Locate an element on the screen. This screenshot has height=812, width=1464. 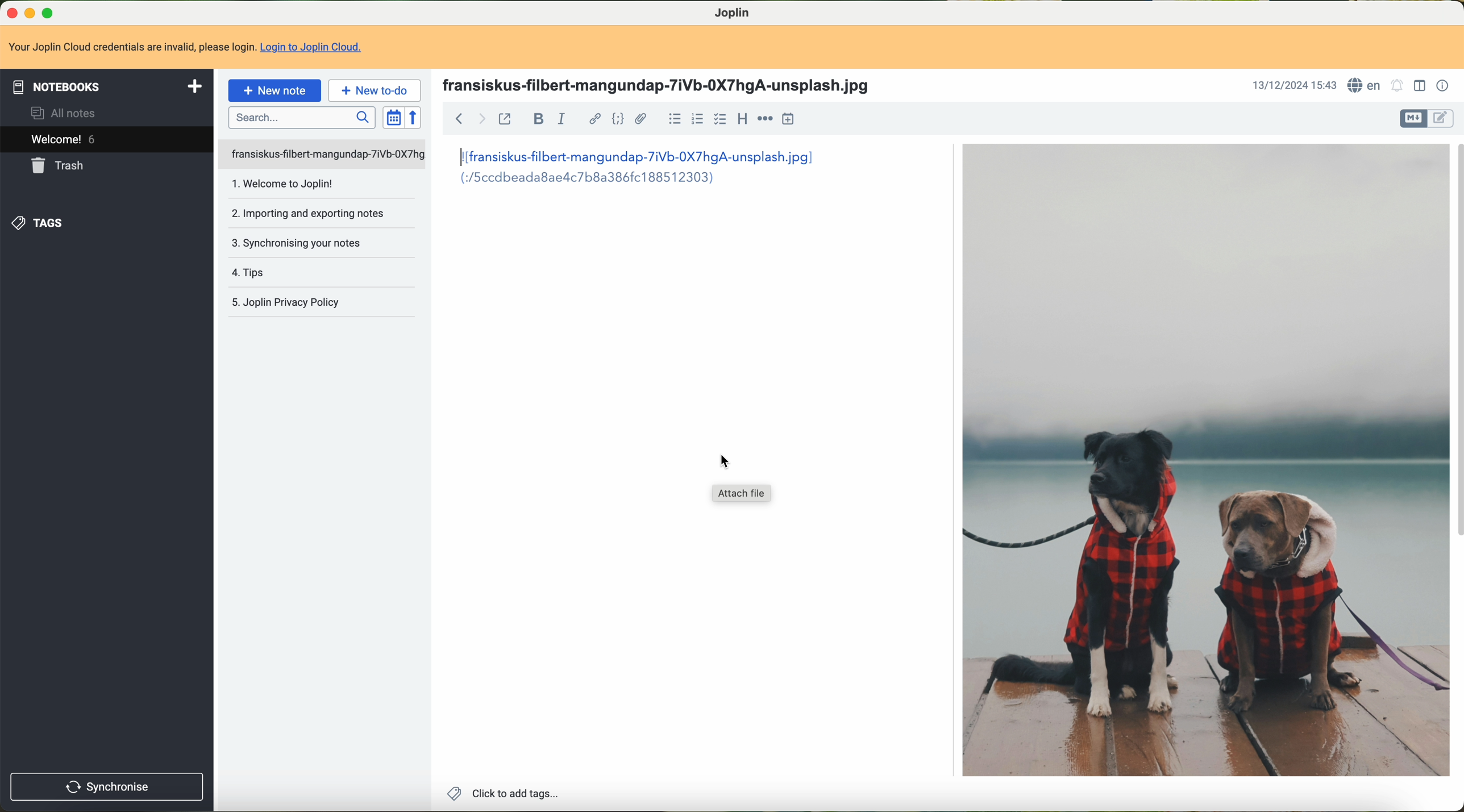
toggle external editing is located at coordinates (505, 120).